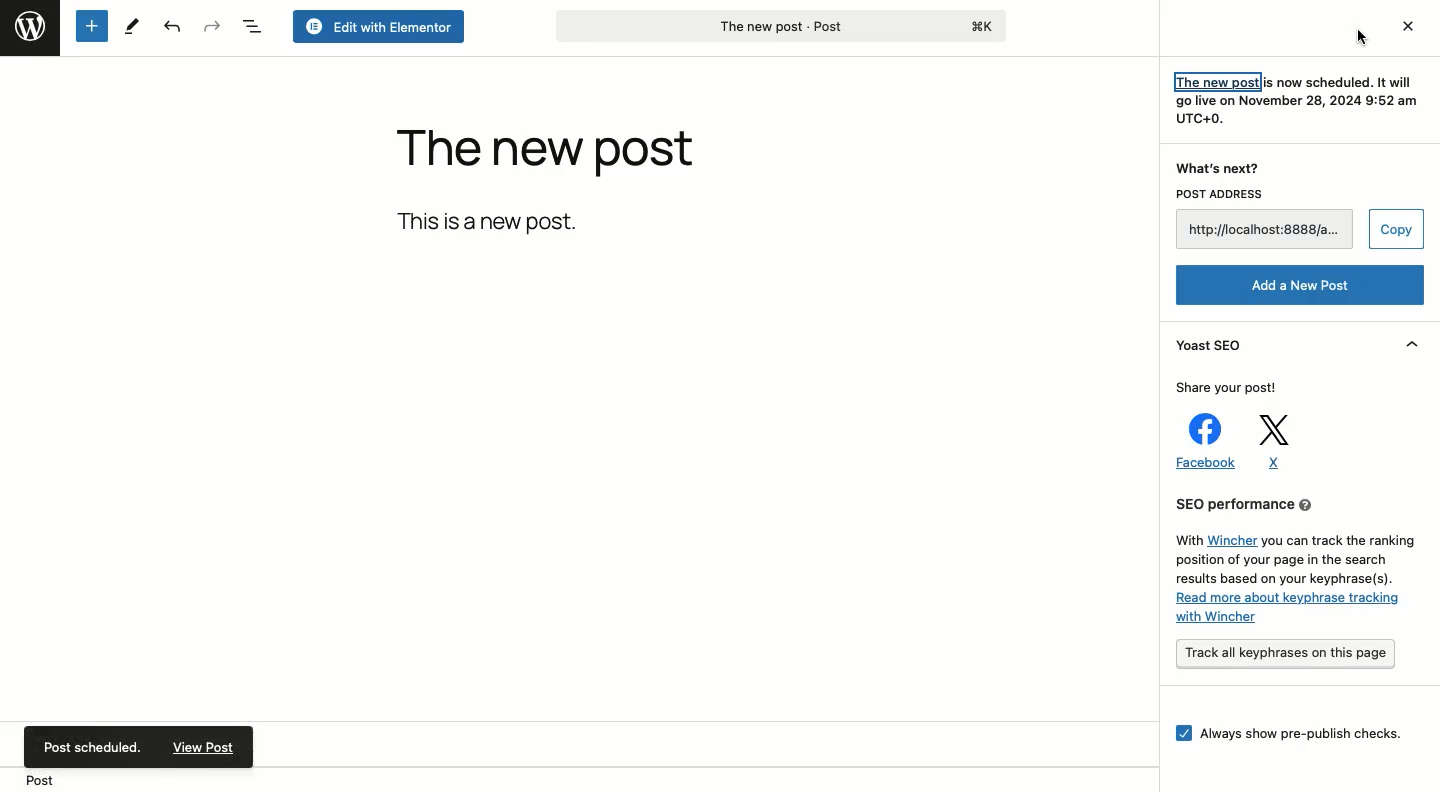 The image size is (1440, 792). I want to click on Track key phrases, so click(1289, 656).